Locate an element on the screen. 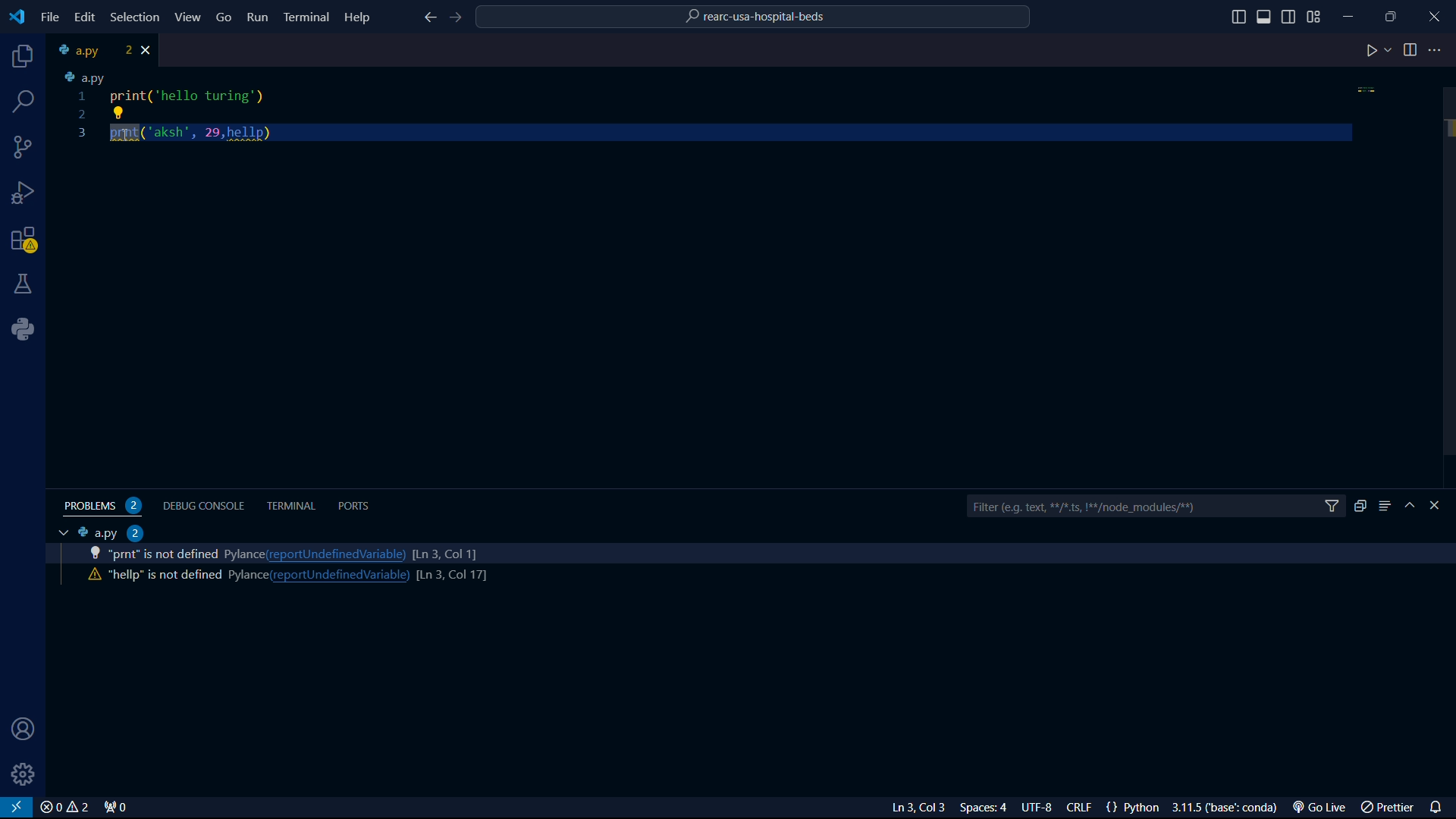 This screenshot has width=1456, height=819. connect 0 is located at coordinates (118, 808).